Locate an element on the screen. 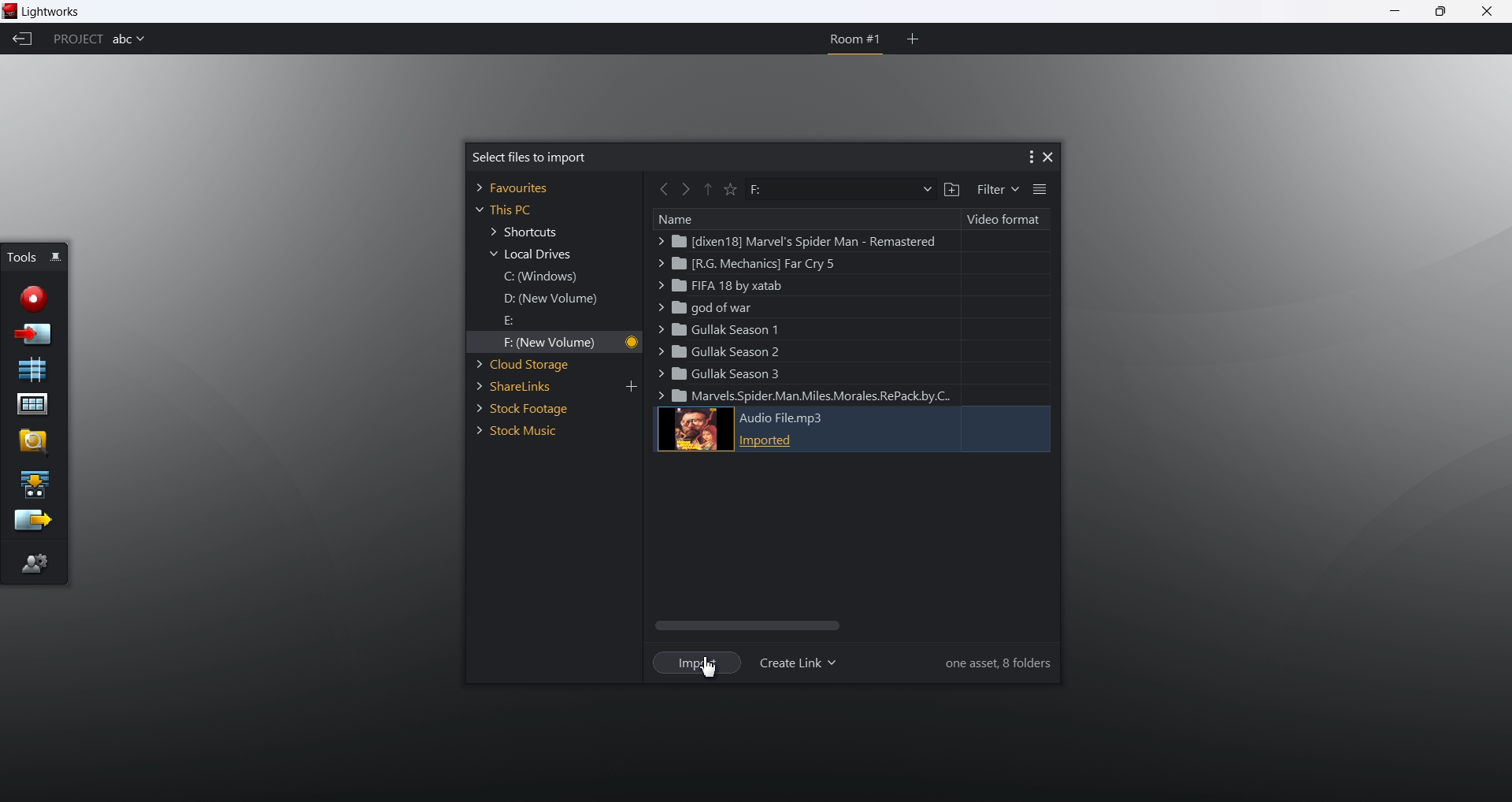  shortcuts is located at coordinates (525, 234).